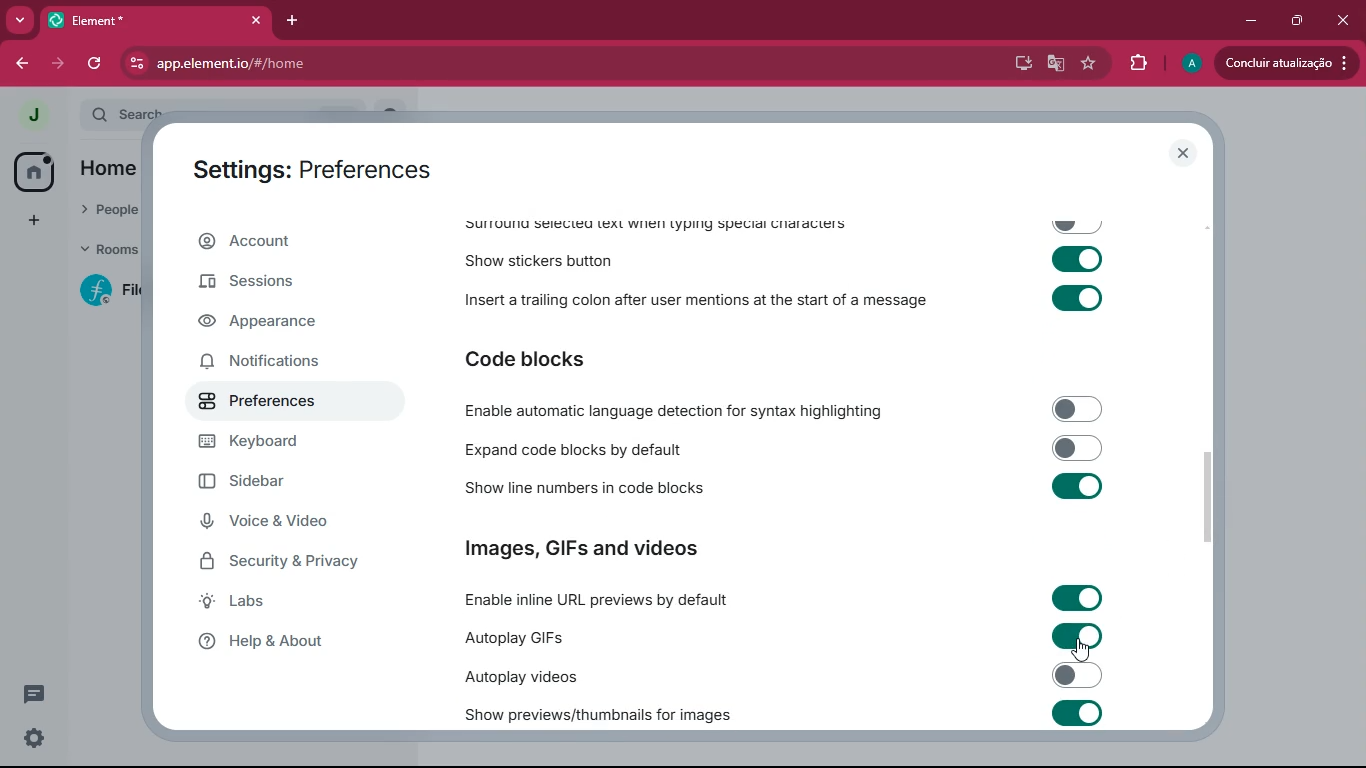 This screenshot has width=1366, height=768. What do you see at coordinates (284, 484) in the screenshot?
I see `sidebar ` at bounding box center [284, 484].